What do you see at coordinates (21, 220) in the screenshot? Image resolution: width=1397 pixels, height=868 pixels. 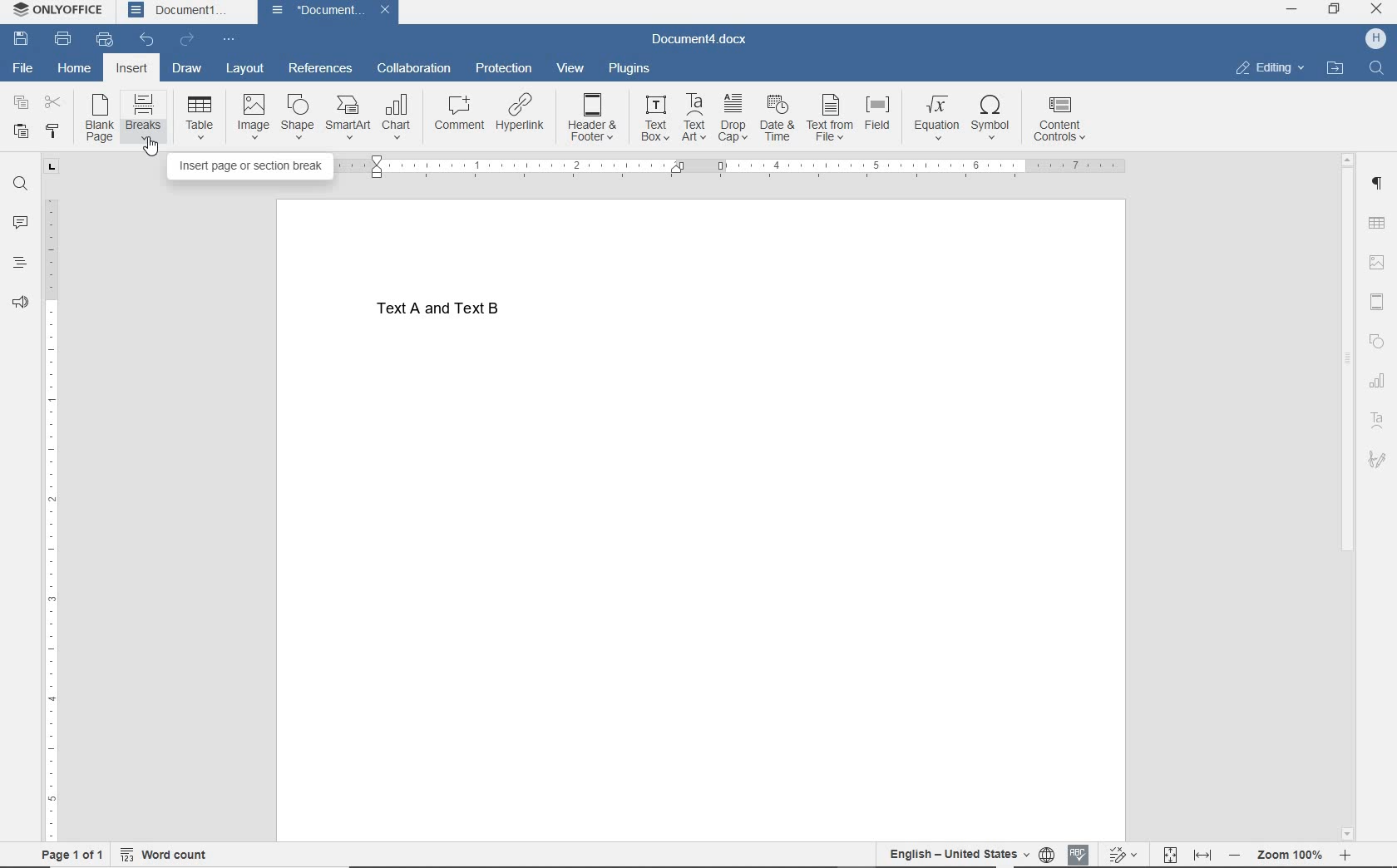 I see `COMMENTS` at bounding box center [21, 220].